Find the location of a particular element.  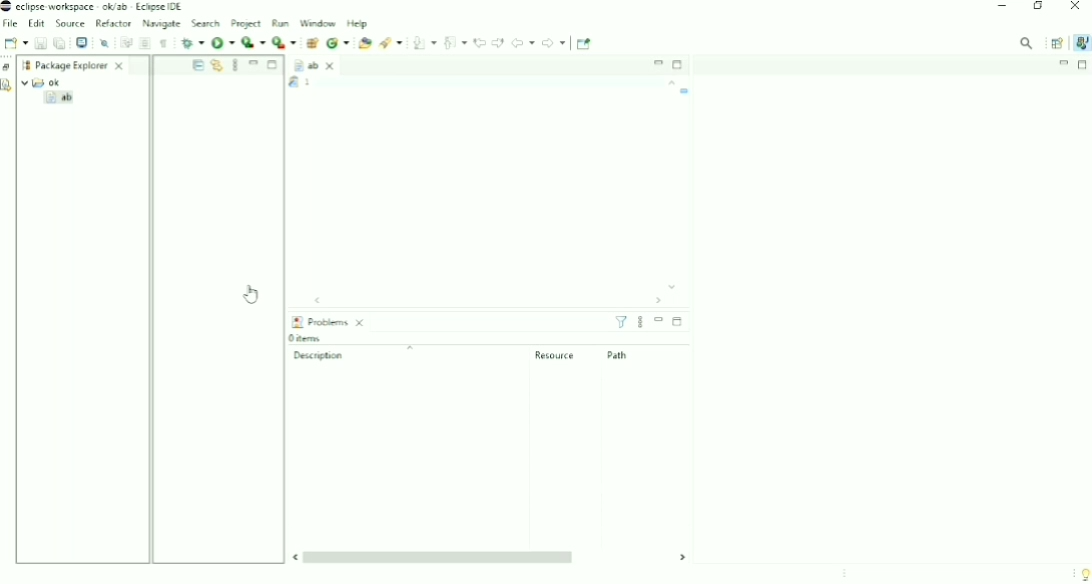

Navigate is located at coordinates (161, 24).